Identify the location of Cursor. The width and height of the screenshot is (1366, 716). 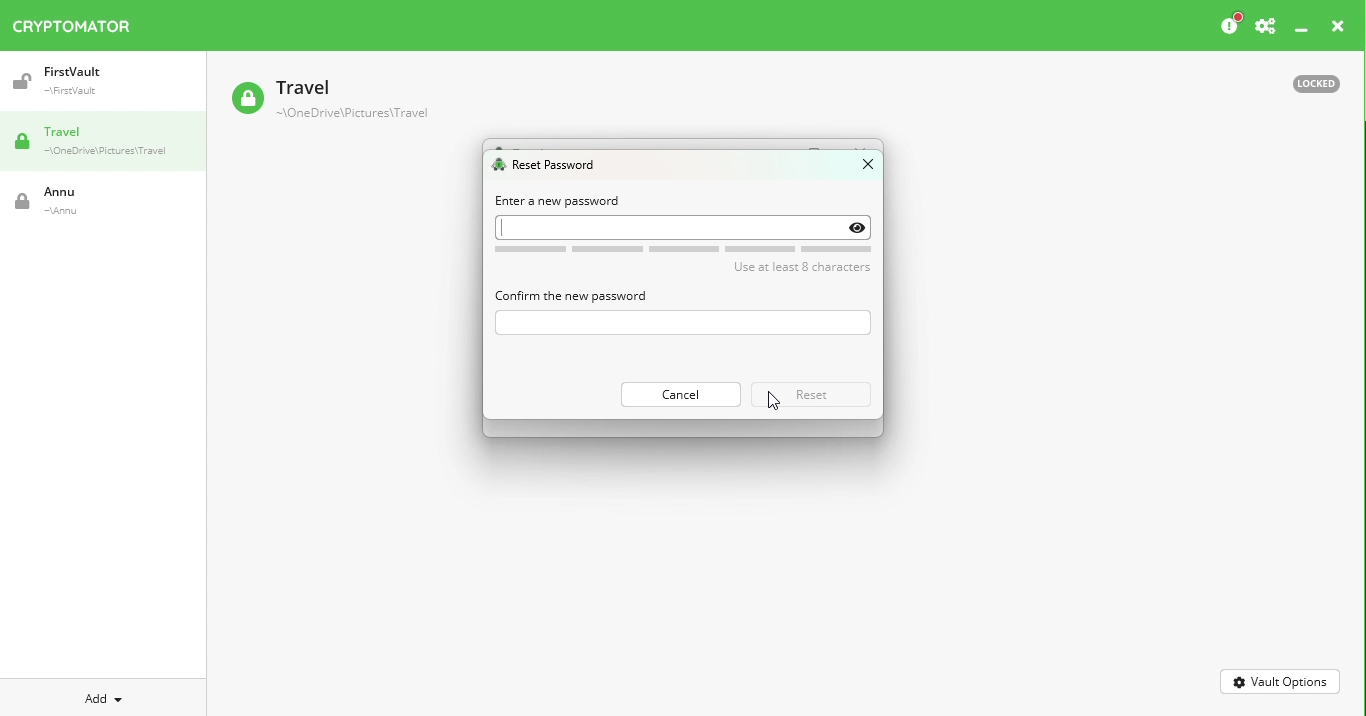
(771, 399).